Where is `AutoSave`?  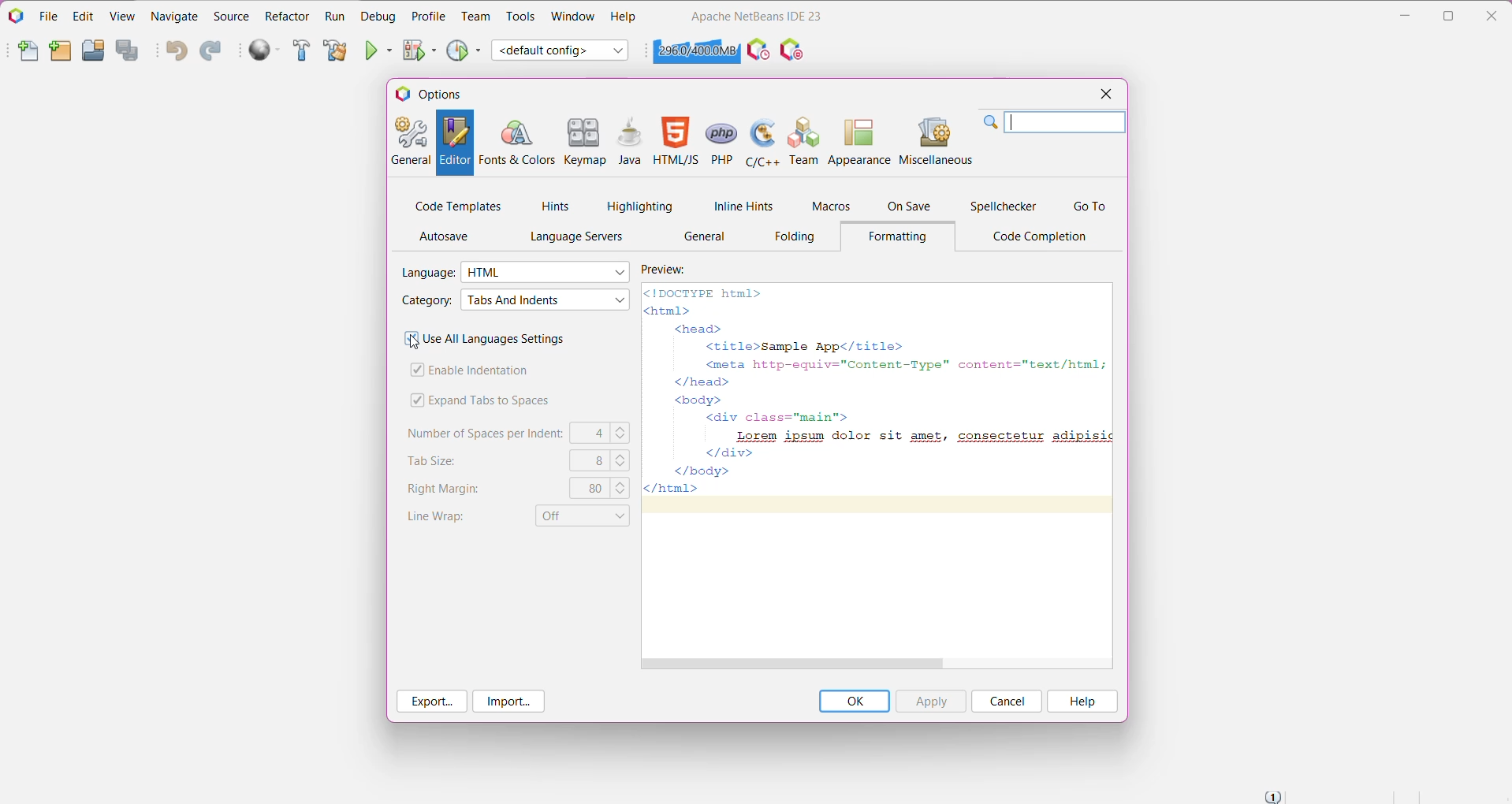 AutoSave is located at coordinates (448, 236).